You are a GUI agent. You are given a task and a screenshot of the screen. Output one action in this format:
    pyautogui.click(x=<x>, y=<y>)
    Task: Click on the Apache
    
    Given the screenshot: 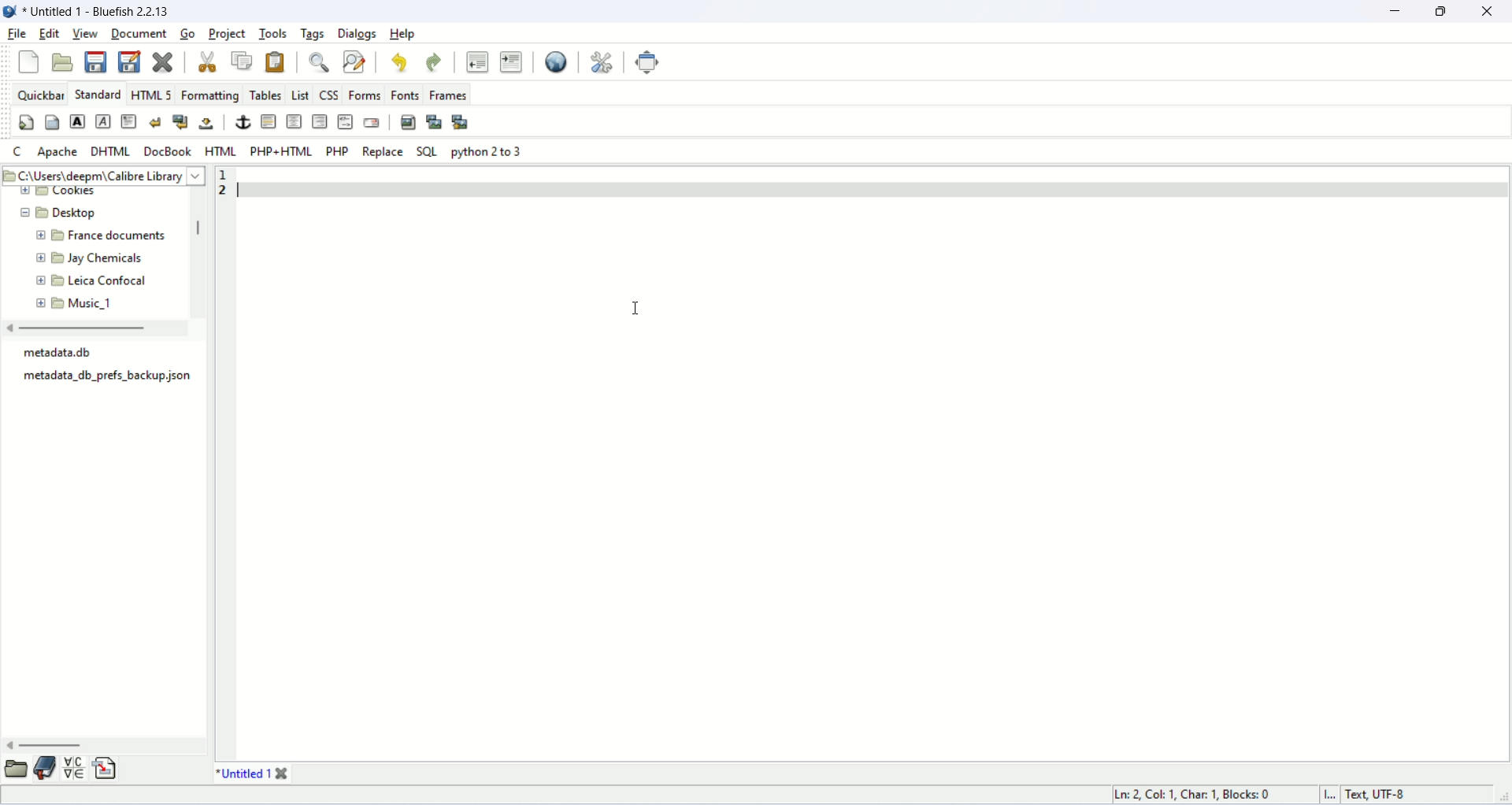 What is the action you would take?
    pyautogui.click(x=57, y=152)
    